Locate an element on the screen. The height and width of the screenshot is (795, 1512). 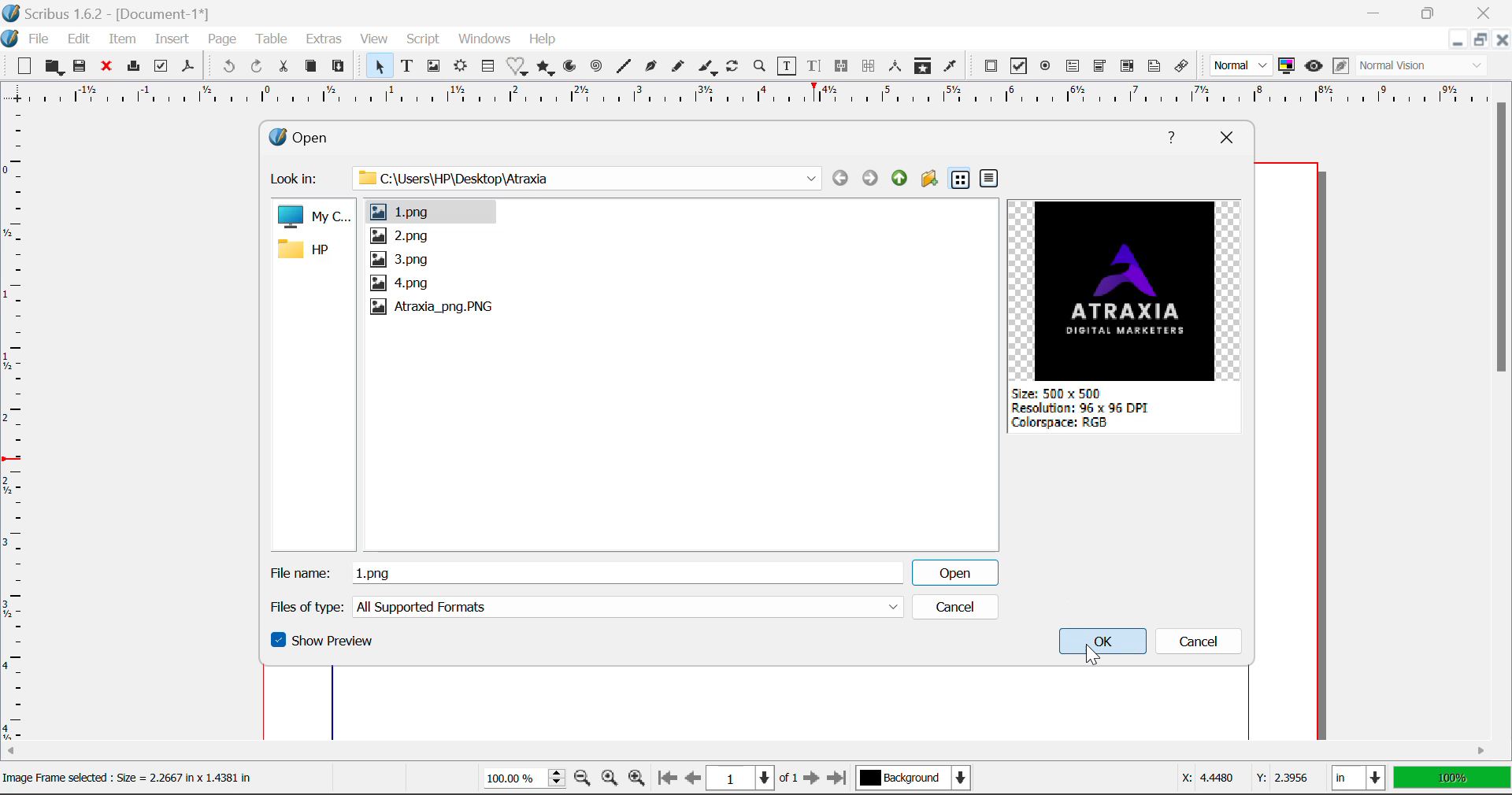
Background is located at coordinates (916, 779).